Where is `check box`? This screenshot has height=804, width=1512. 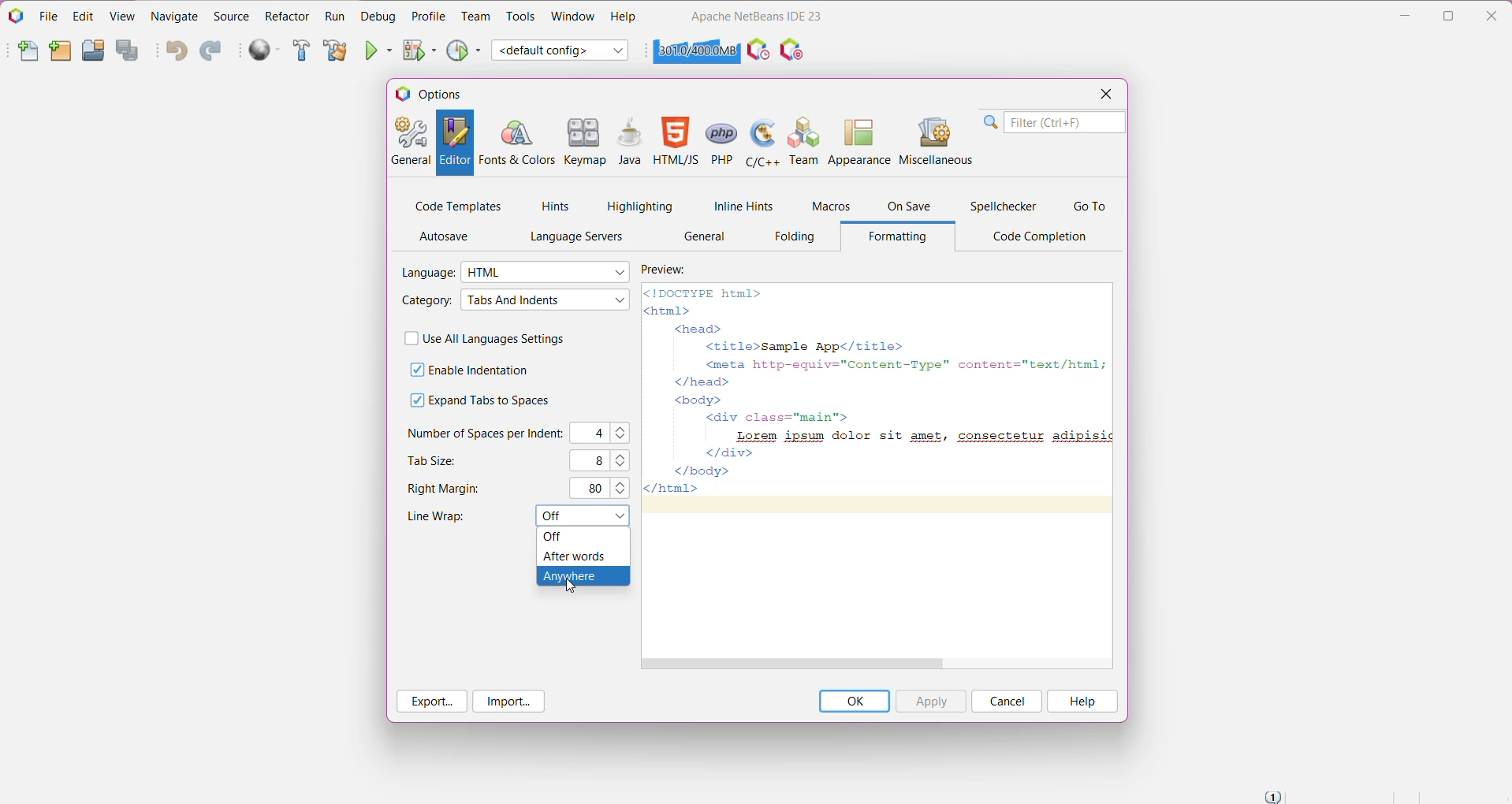
check box is located at coordinates (408, 338).